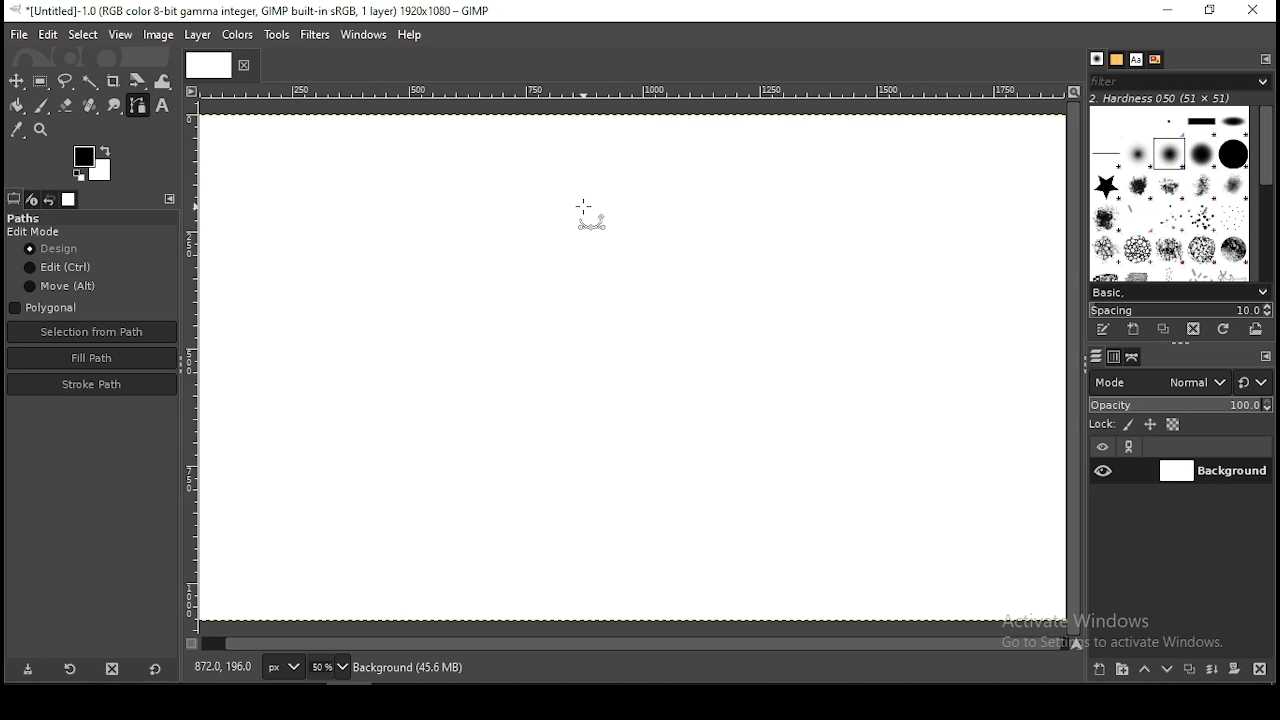 The width and height of the screenshot is (1280, 720). I want to click on edit, so click(60, 268).